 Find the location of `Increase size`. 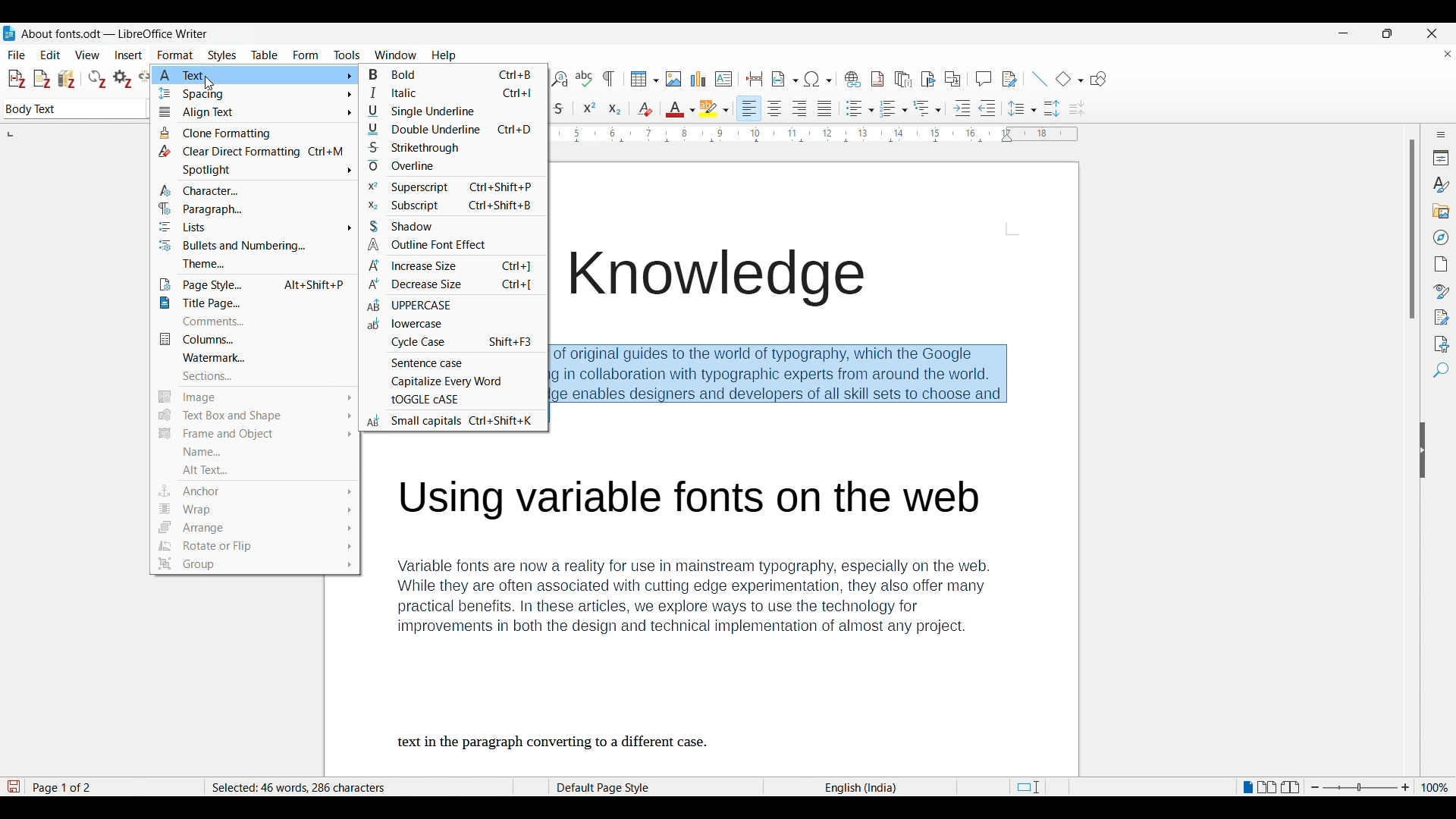

Increase size is located at coordinates (453, 265).